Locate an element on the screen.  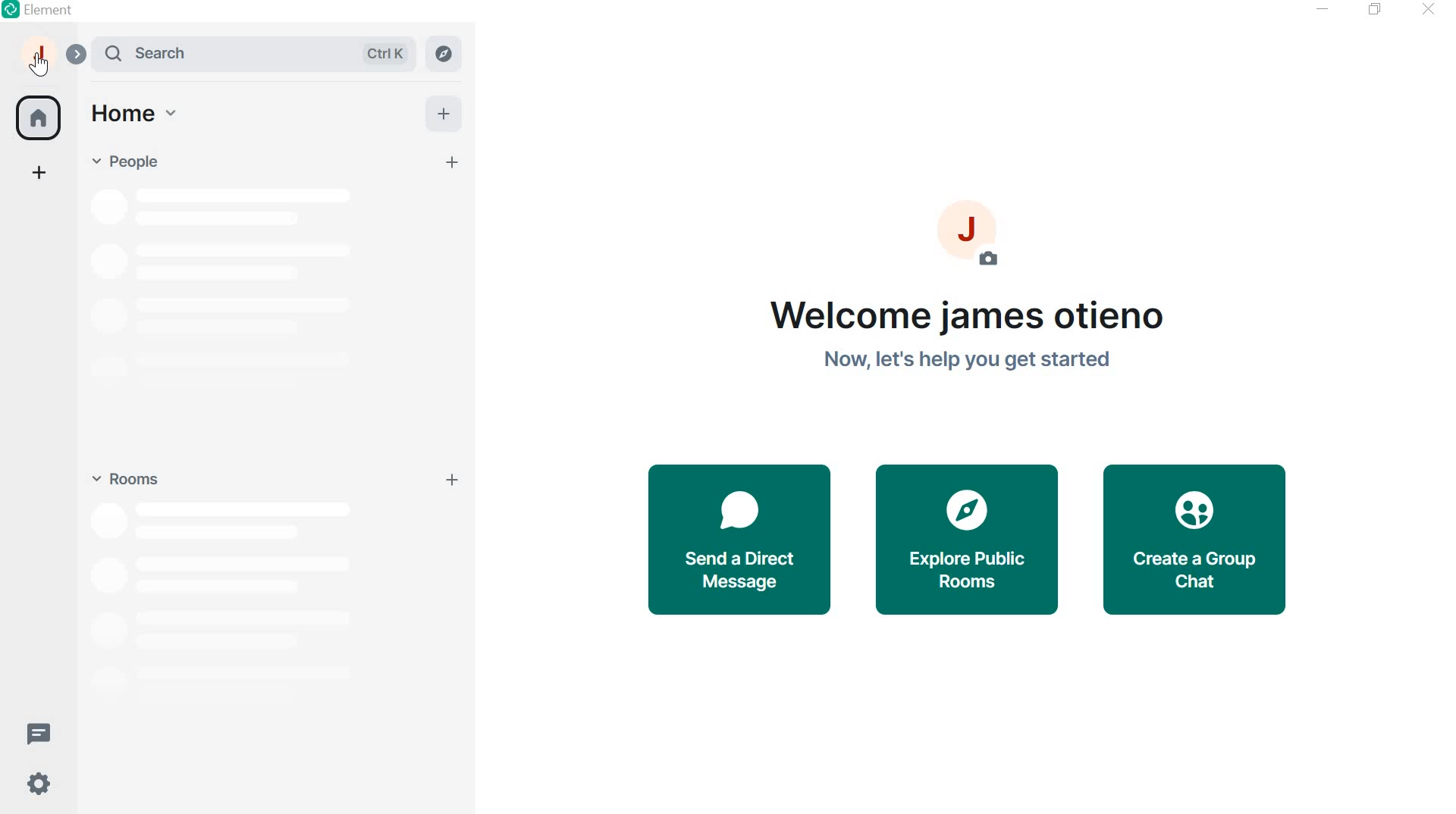
cursor is located at coordinates (40, 66).